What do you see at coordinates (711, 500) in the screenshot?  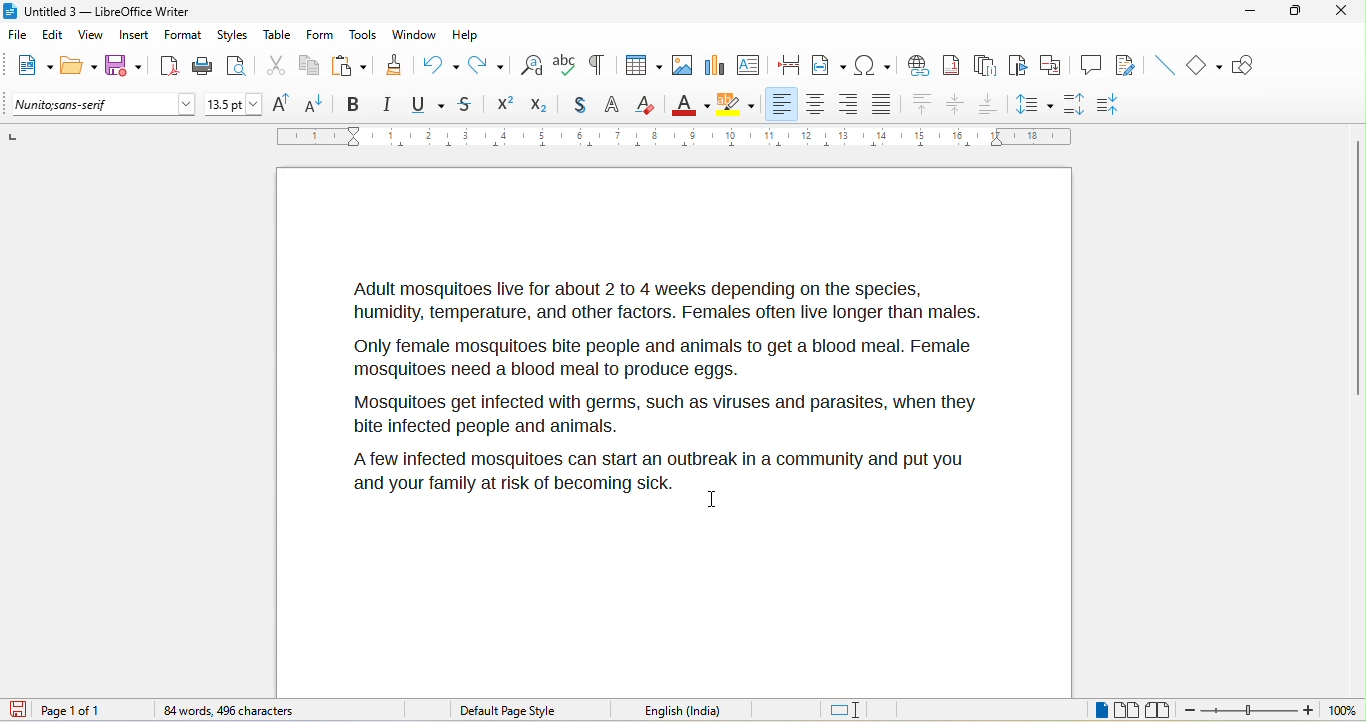 I see `cursor` at bounding box center [711, 500].